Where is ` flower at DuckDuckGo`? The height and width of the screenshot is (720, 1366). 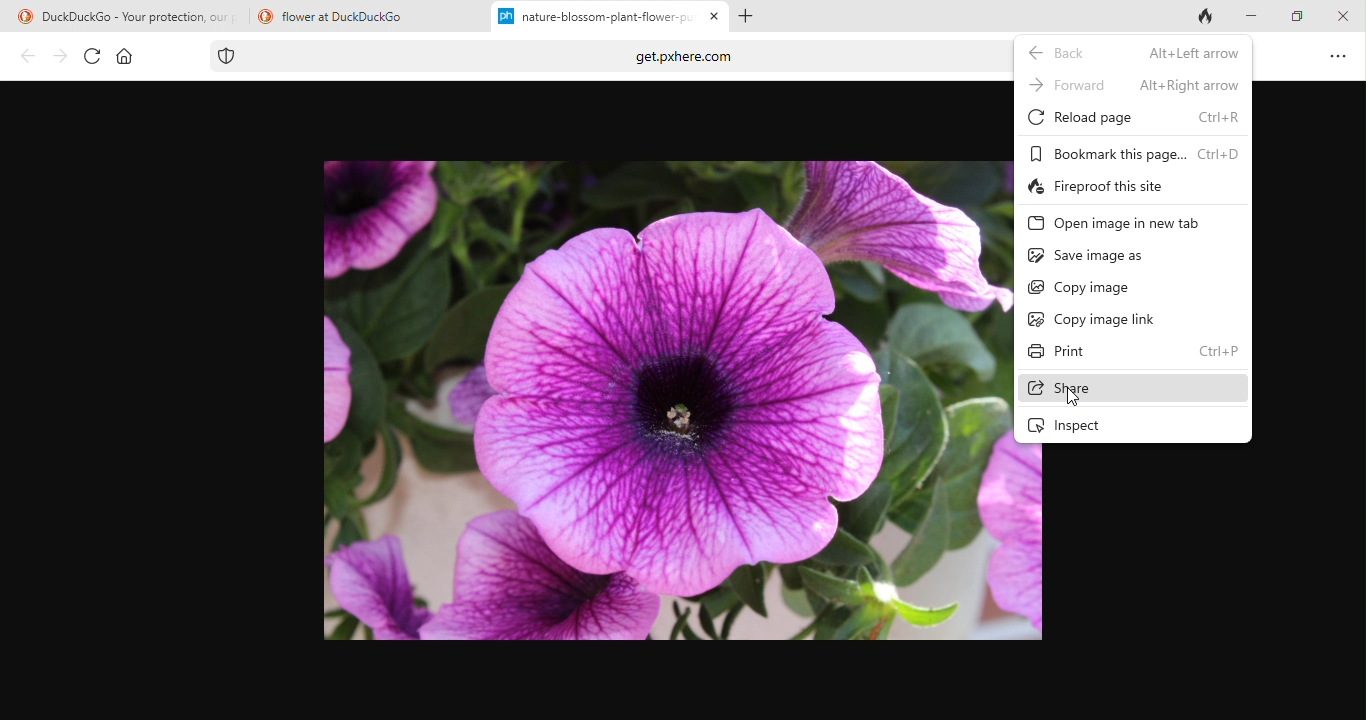
 flower at DuckDuckGo is located at coordinates (360, 20).